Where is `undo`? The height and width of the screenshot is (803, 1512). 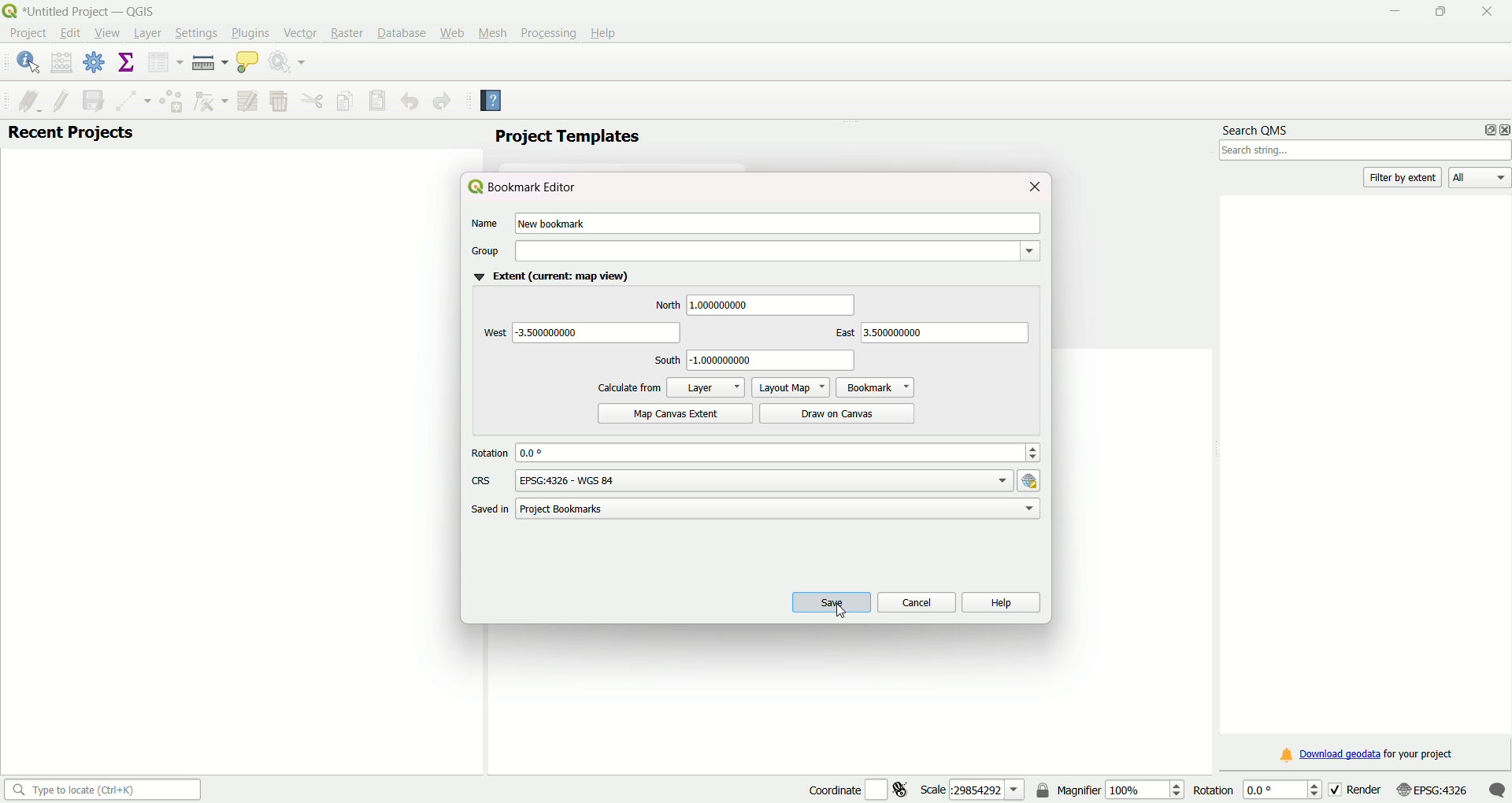 undo is located at coordinates (409, 102).